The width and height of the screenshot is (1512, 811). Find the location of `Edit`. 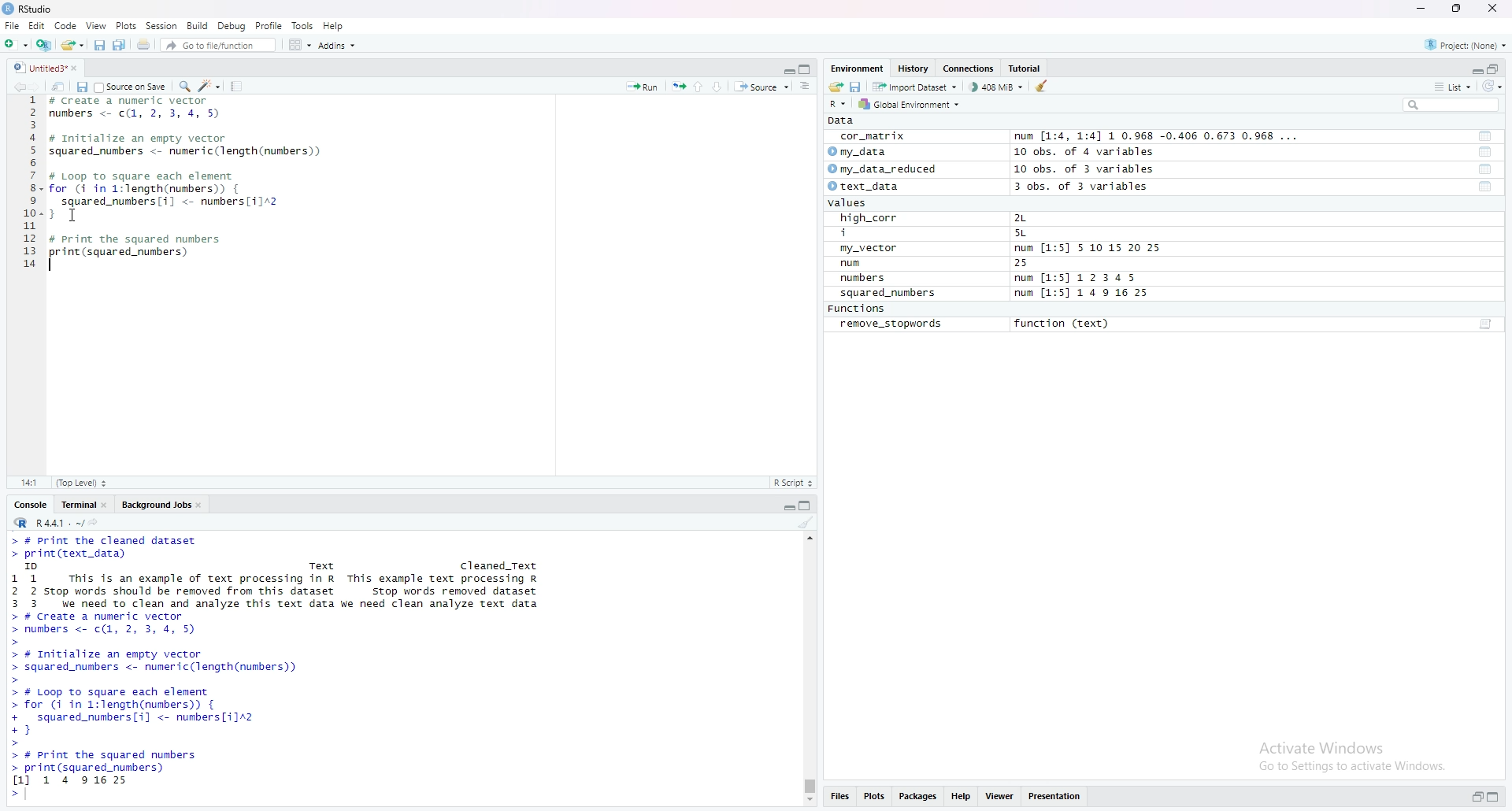

Edit is located at coordinates (36, 25).